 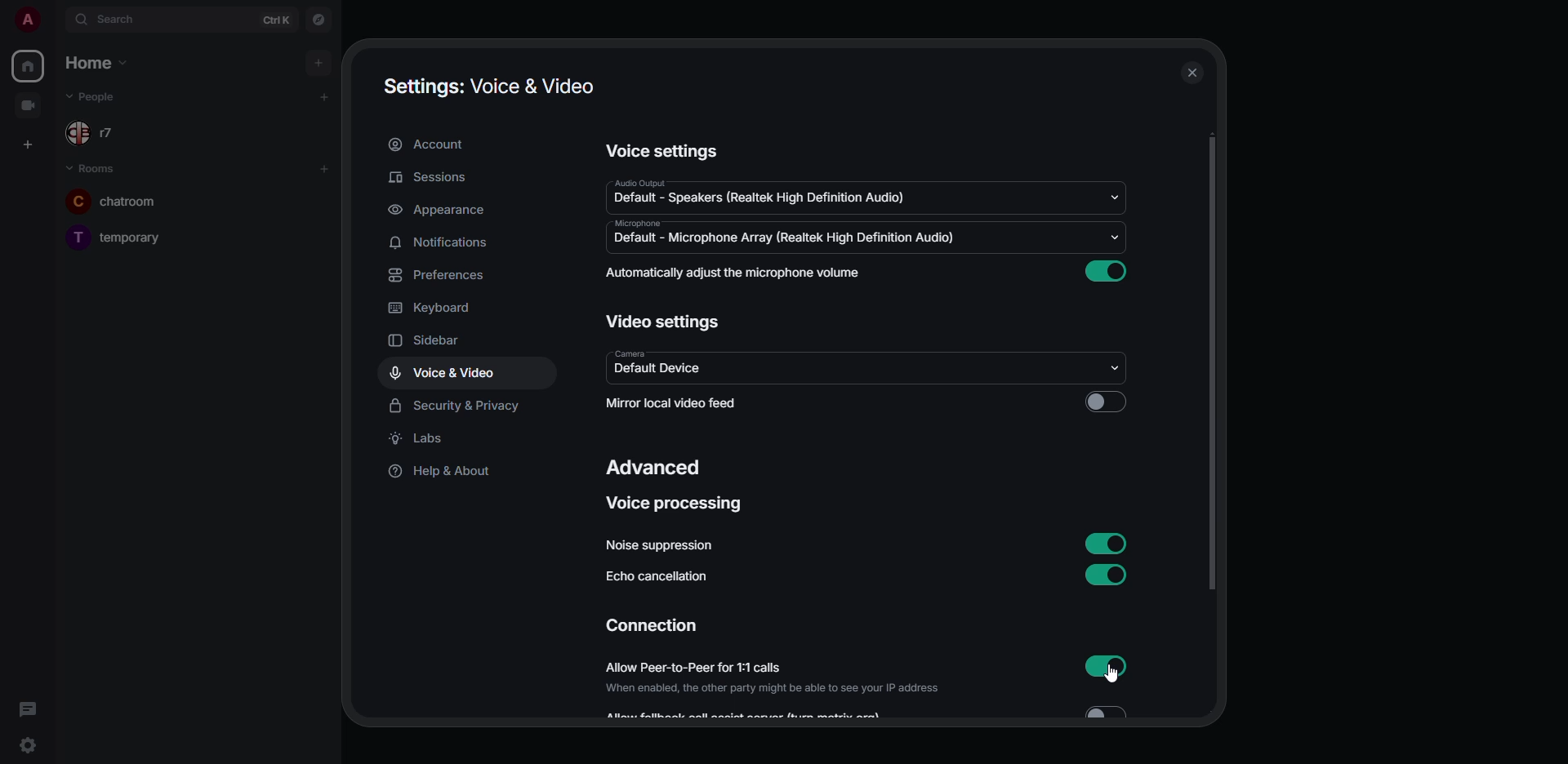 What do you see at coordinates (326, 96) in the screenshot?
I see `add` at bounding box center [326, 96].